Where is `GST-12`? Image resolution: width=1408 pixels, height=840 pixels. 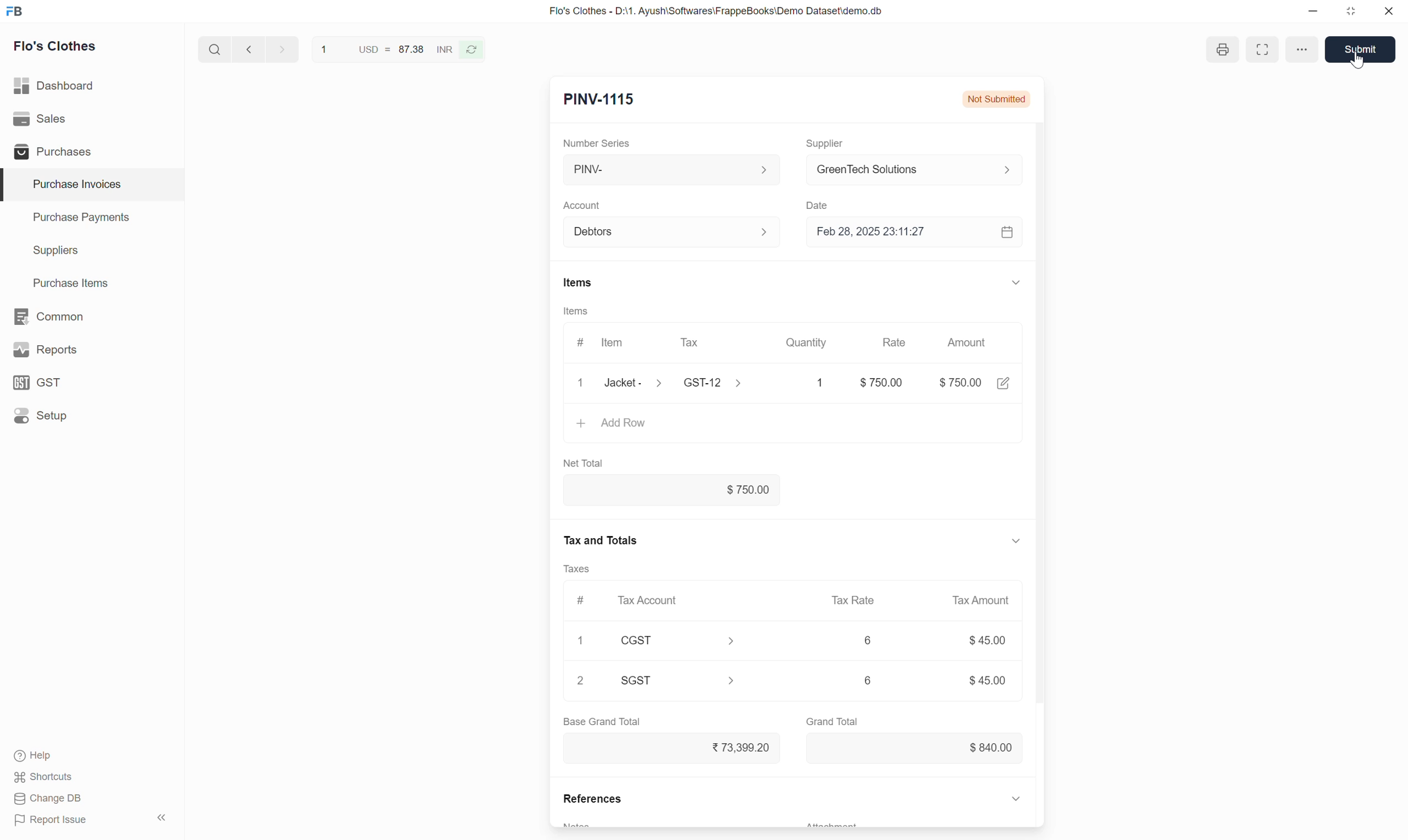 GST-12 is located at coordinates (716, 382).